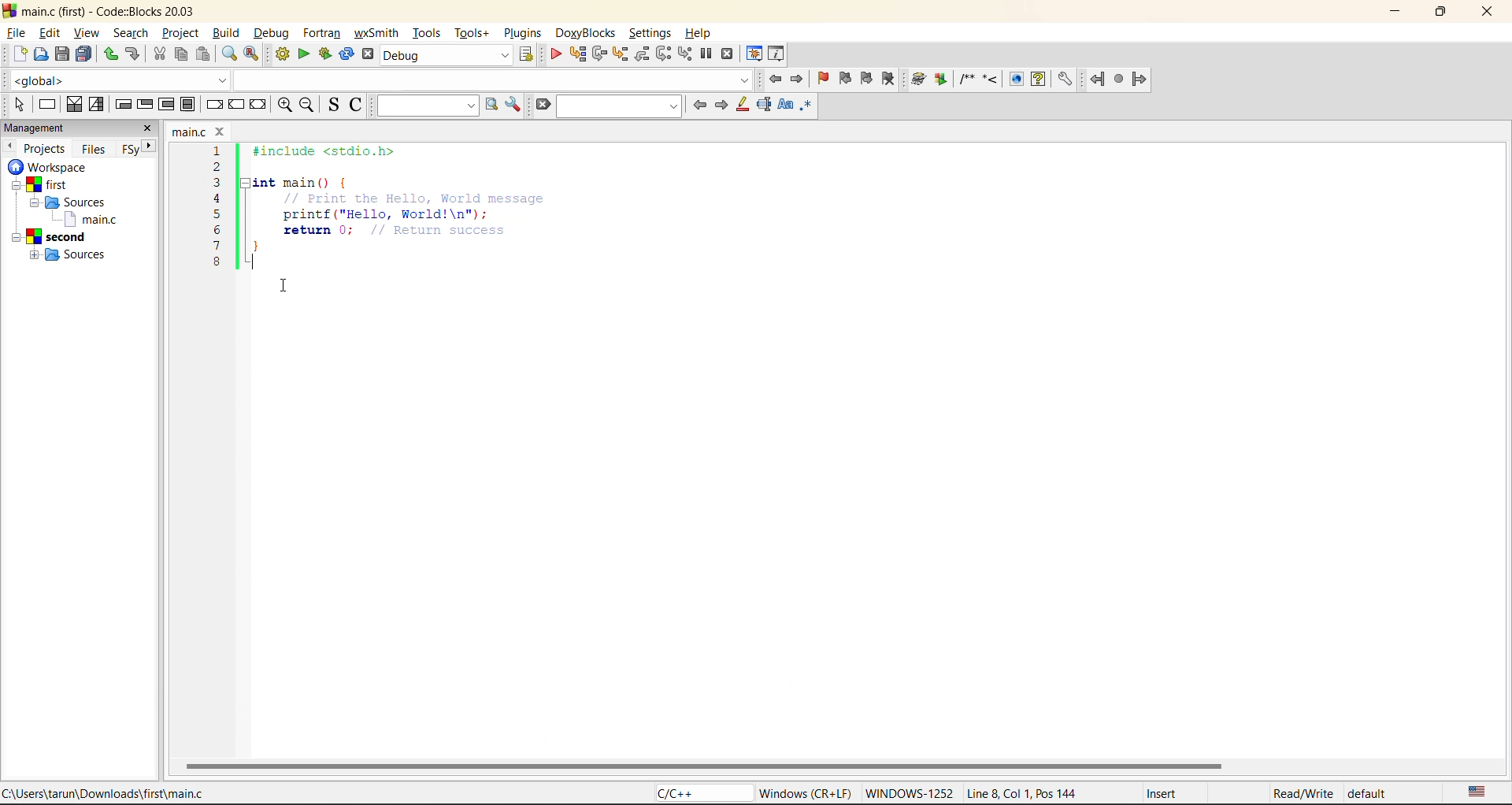 This screenshot has width=1512, height=805. I want to click on settings, so click(647, 30).